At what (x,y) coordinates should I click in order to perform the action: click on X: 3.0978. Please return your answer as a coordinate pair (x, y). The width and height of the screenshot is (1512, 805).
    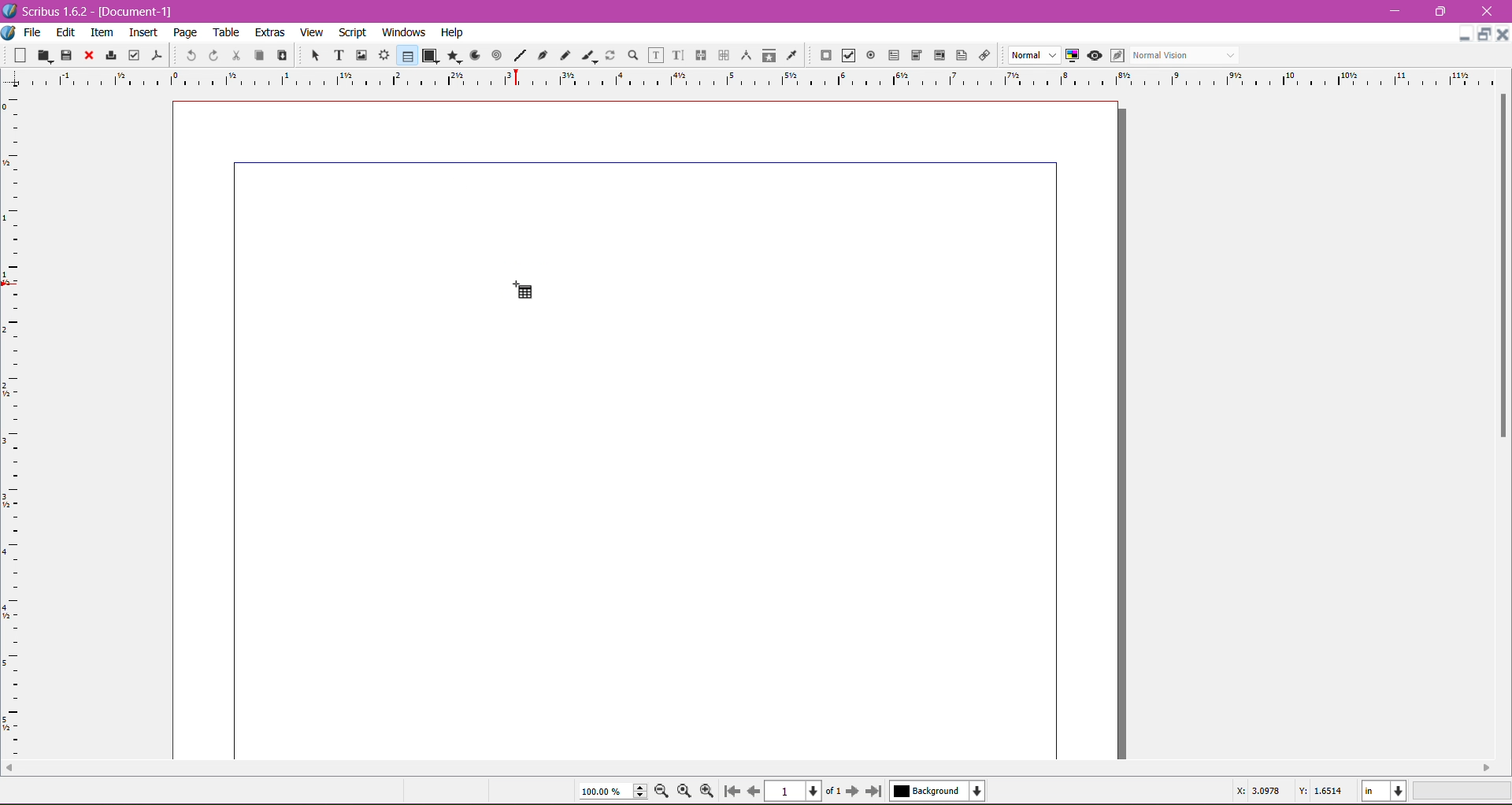
    Looking at the image, I should click on (1258, 792).